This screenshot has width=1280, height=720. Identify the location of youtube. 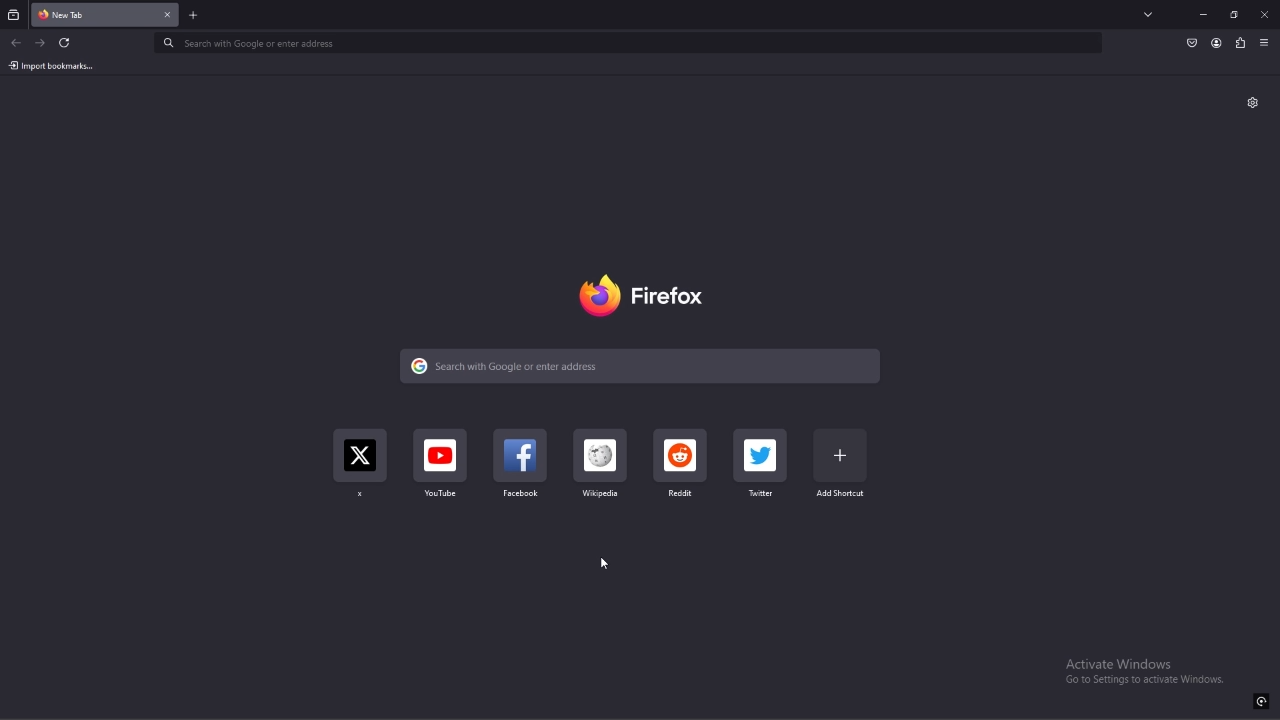
(441, 470).